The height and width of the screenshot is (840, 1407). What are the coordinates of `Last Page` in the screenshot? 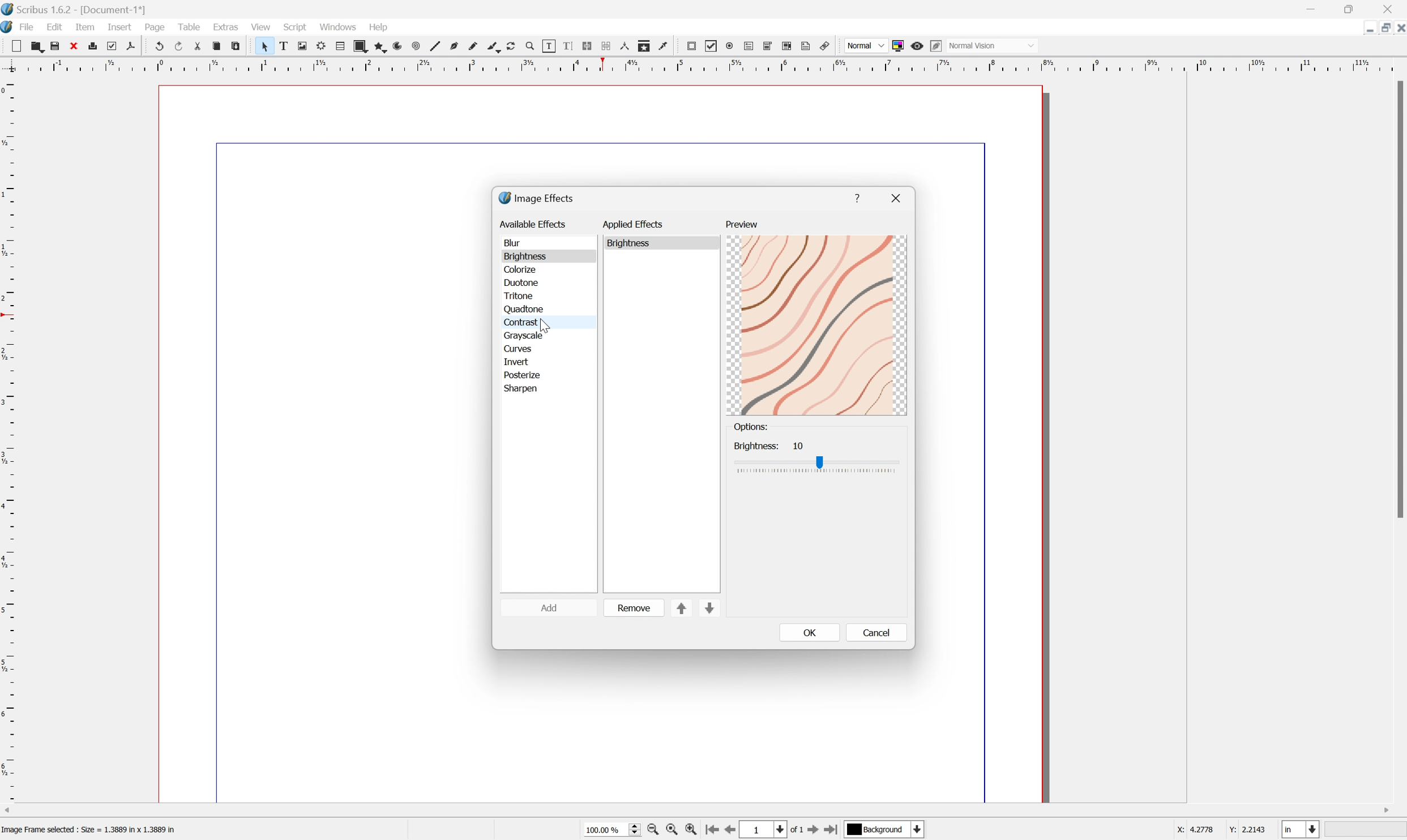 It's located at (835, 829).